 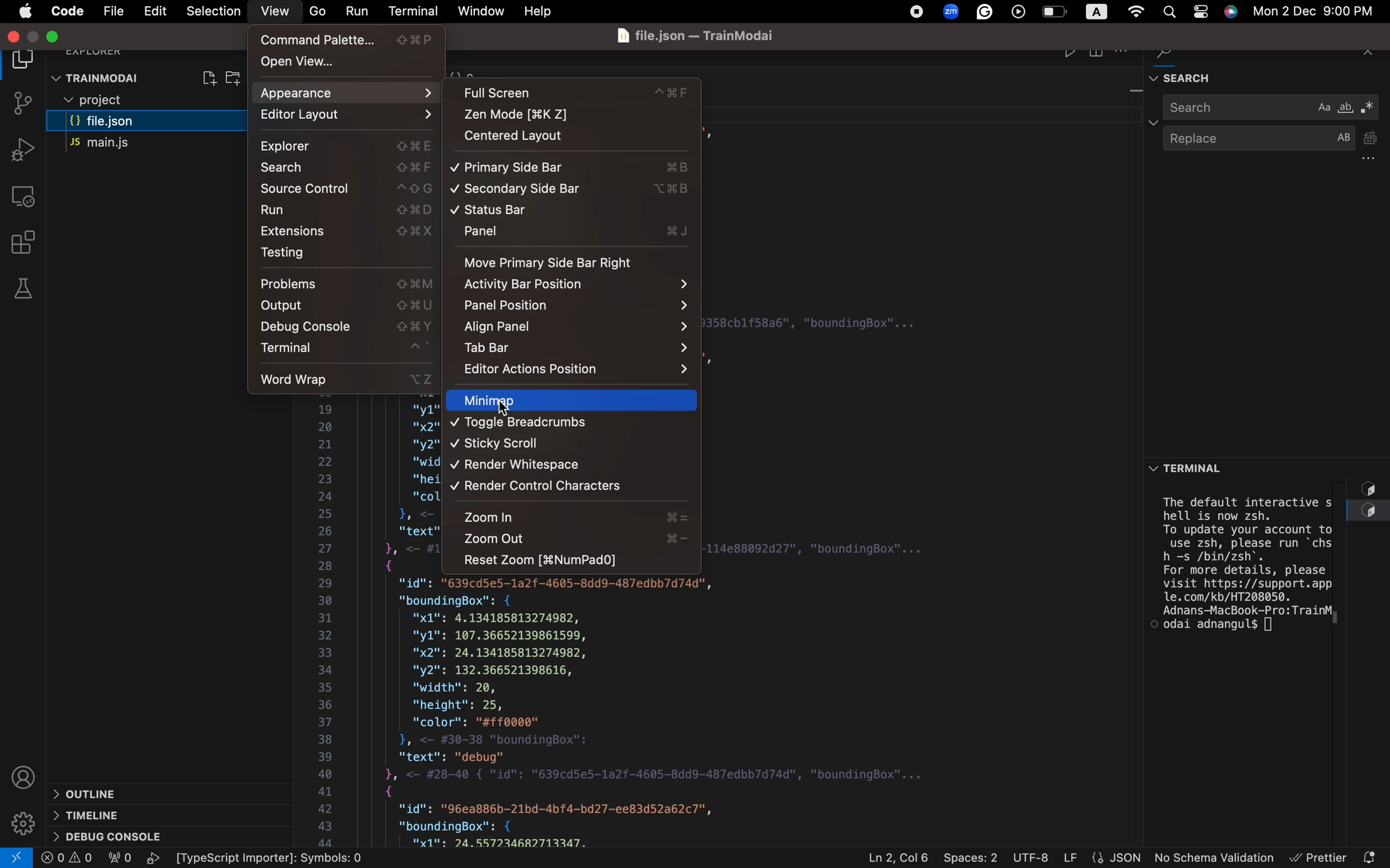 I want to click on panel, so click(x=572, y=231).